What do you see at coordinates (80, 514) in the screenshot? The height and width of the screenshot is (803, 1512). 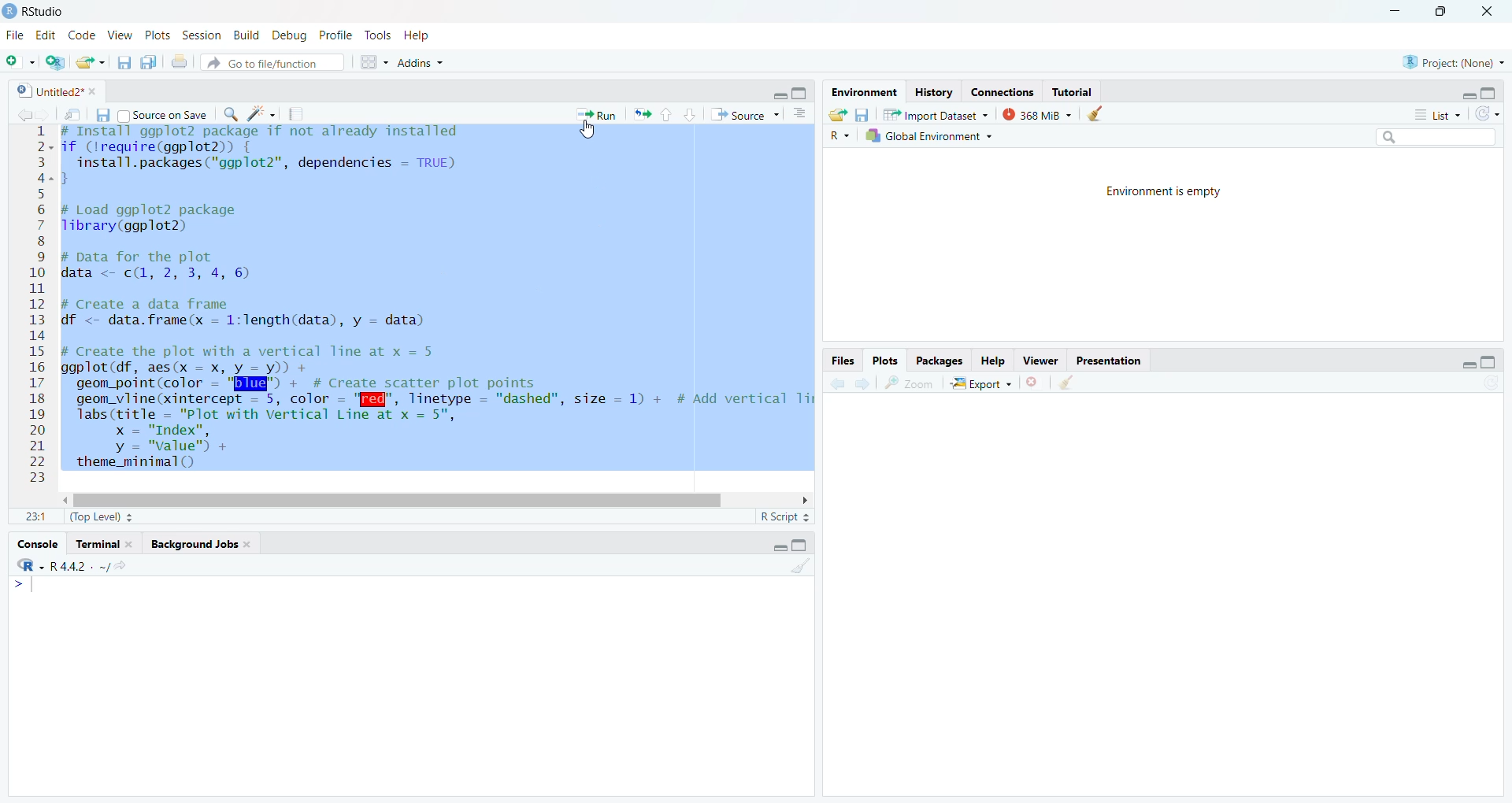 I see `11 (Top Level) =` at bounding box center [80, 514].